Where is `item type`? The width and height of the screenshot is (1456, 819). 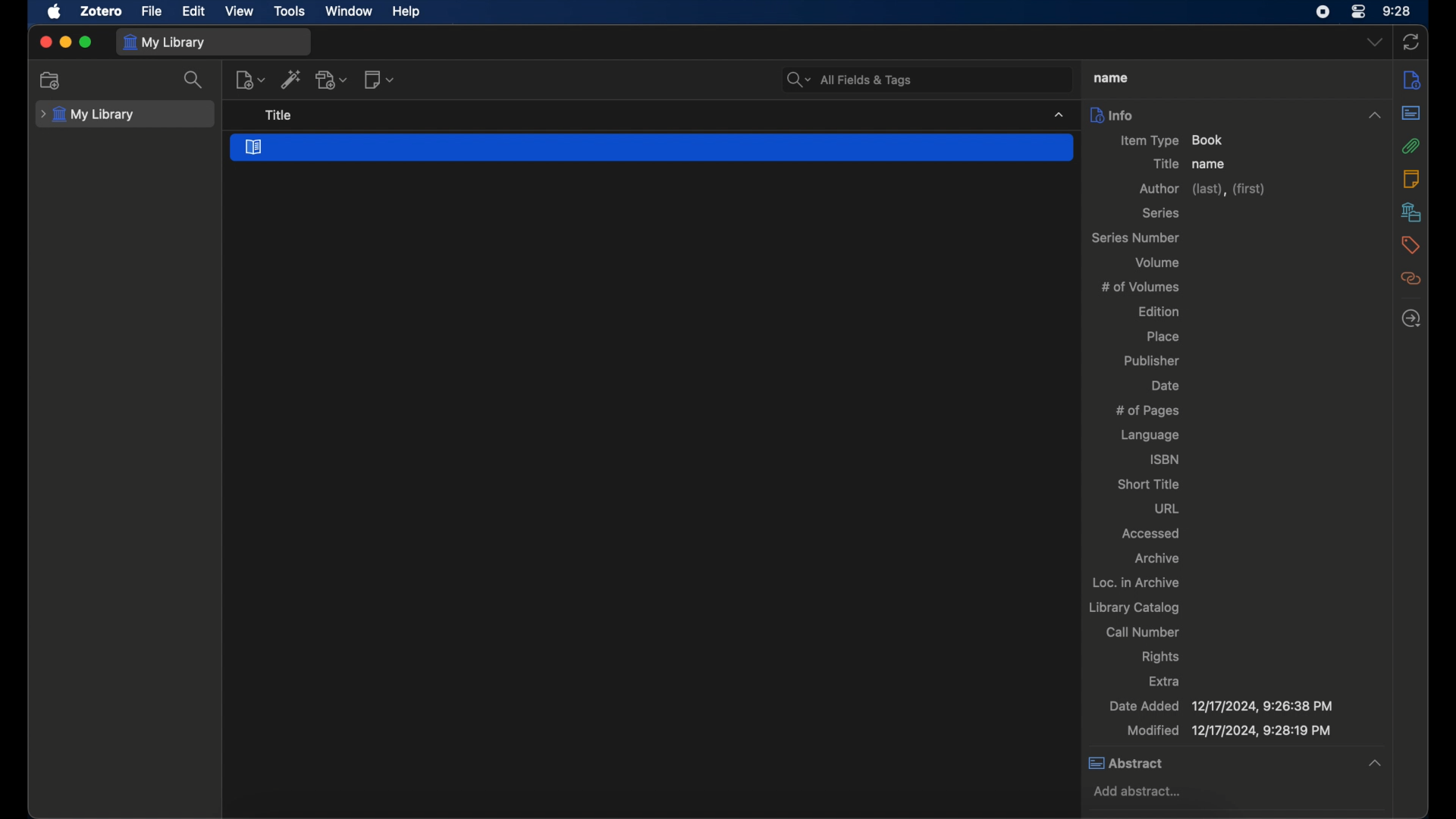
item type is located at coordinates (1174, 140).